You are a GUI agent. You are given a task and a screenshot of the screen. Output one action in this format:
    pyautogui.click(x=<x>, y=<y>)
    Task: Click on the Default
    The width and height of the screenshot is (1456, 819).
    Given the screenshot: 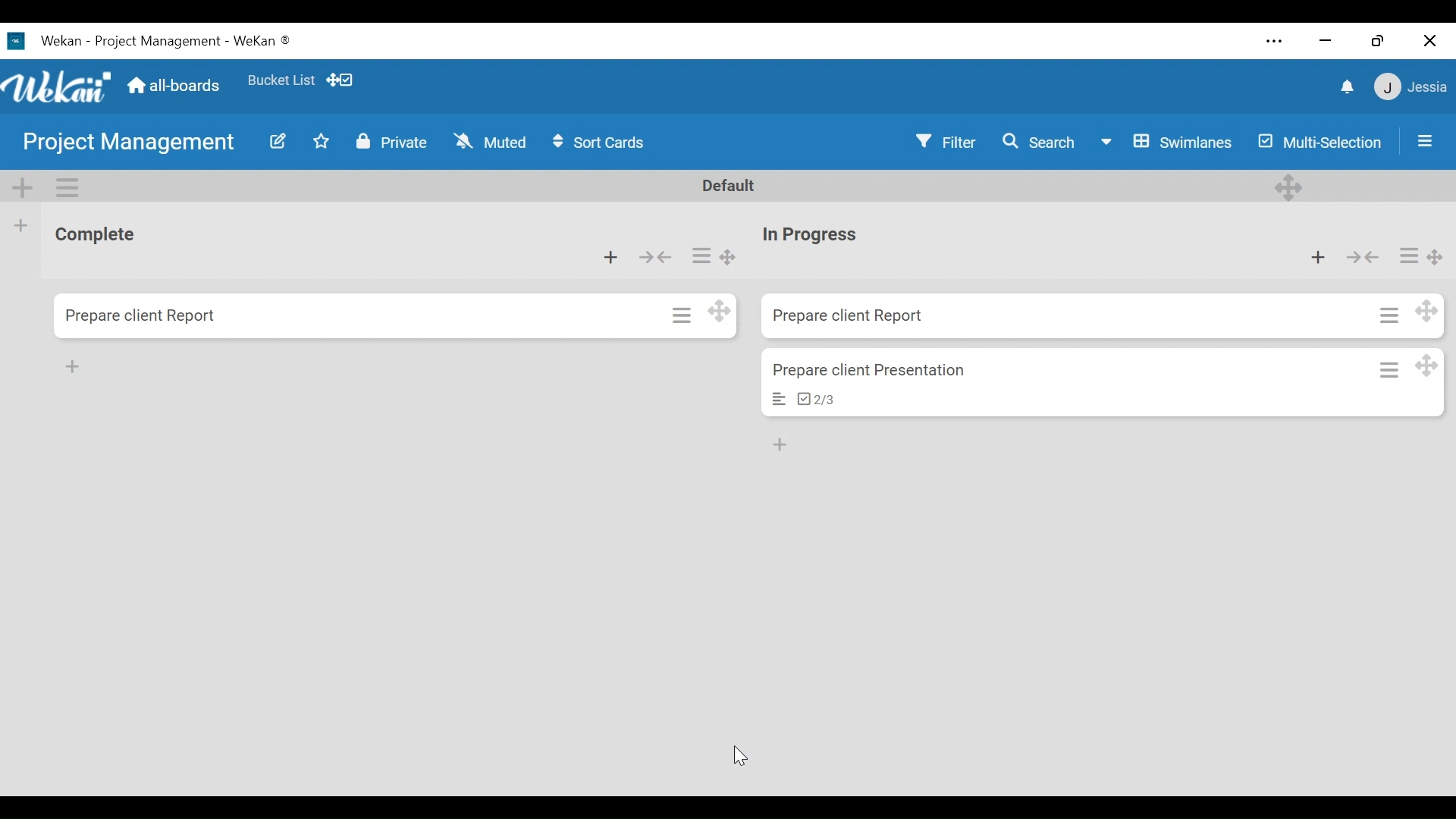 What is the action you would take?
    pyautogui.click(x=731, y=185)
    